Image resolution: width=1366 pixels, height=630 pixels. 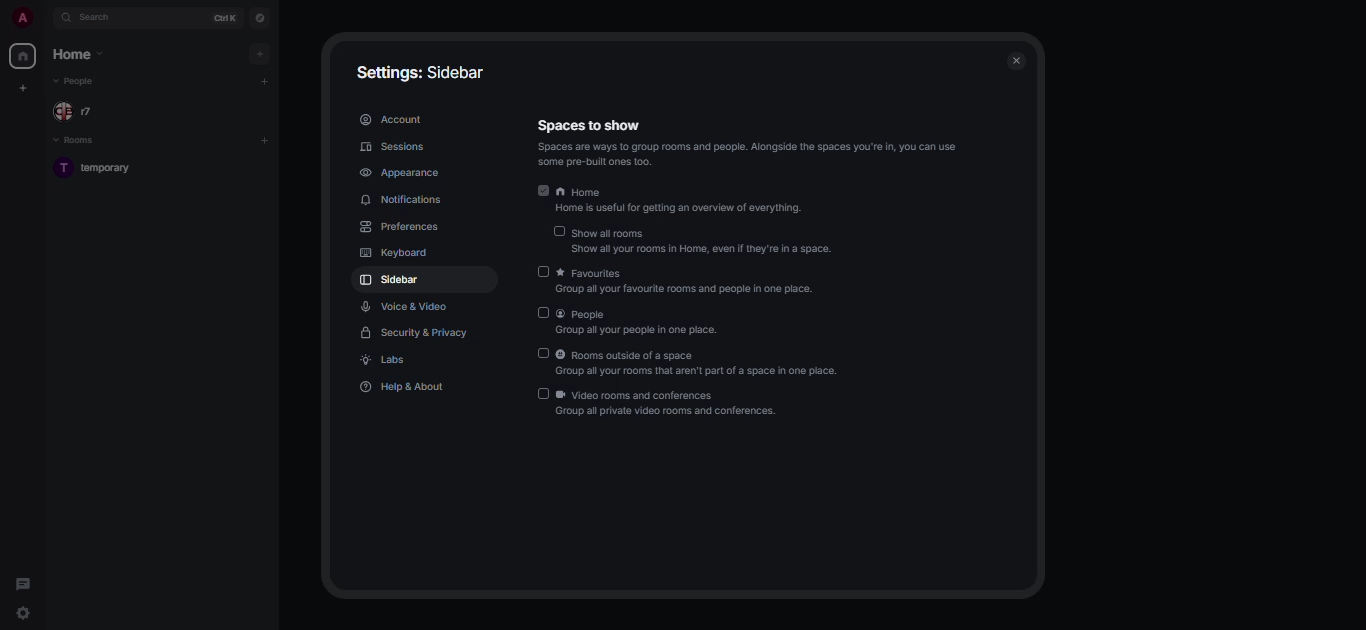 What do you see at coordinates (45, 19) in the screenshot?
I see `expand` at bounding box center [45, 19].